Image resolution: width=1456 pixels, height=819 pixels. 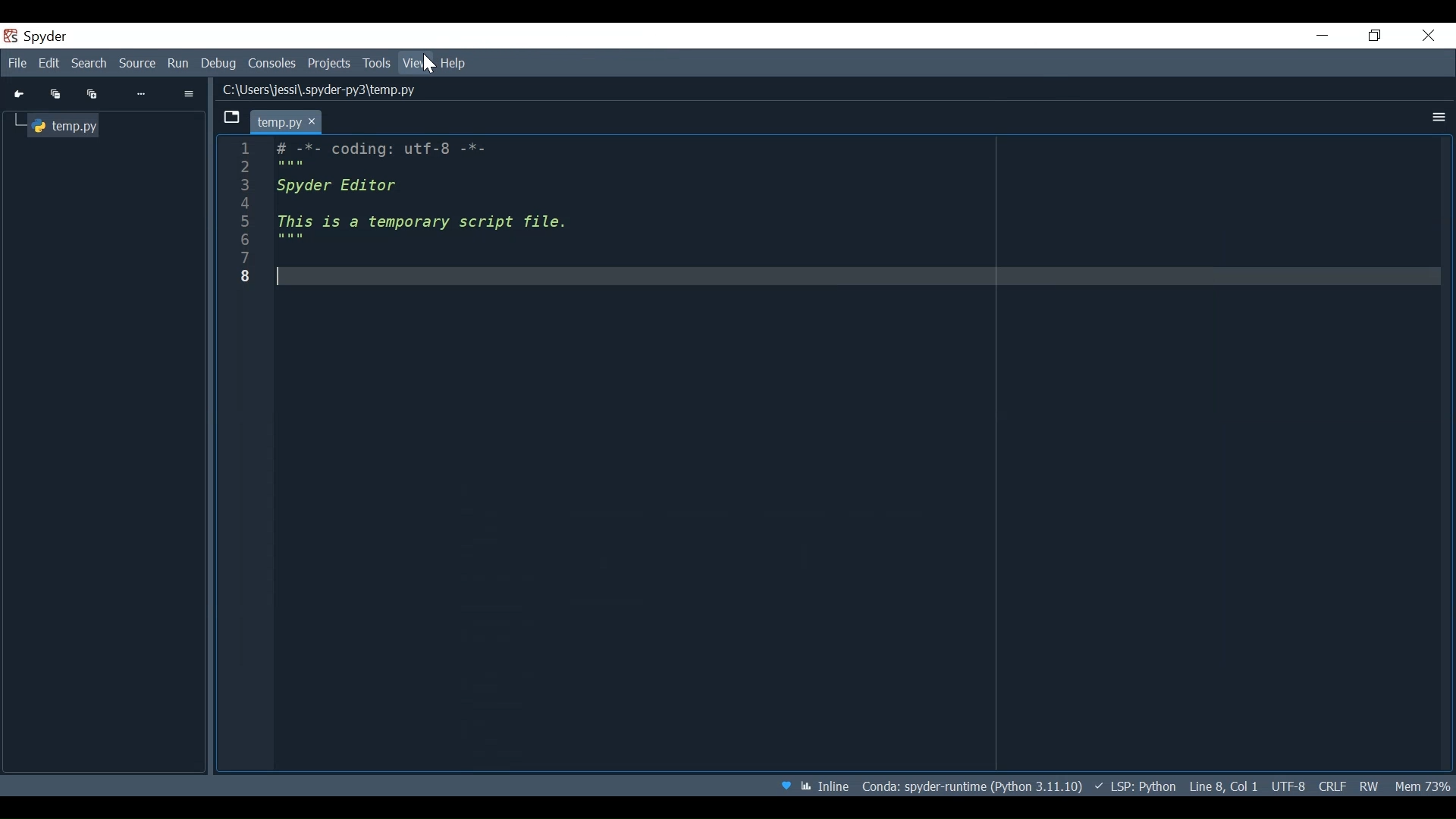 What do you see at coordinates (973, 787) in the screenshot?
I see `Conda: spyder-runtime (Python 3.11.10)` at bounding box center [973, 787].